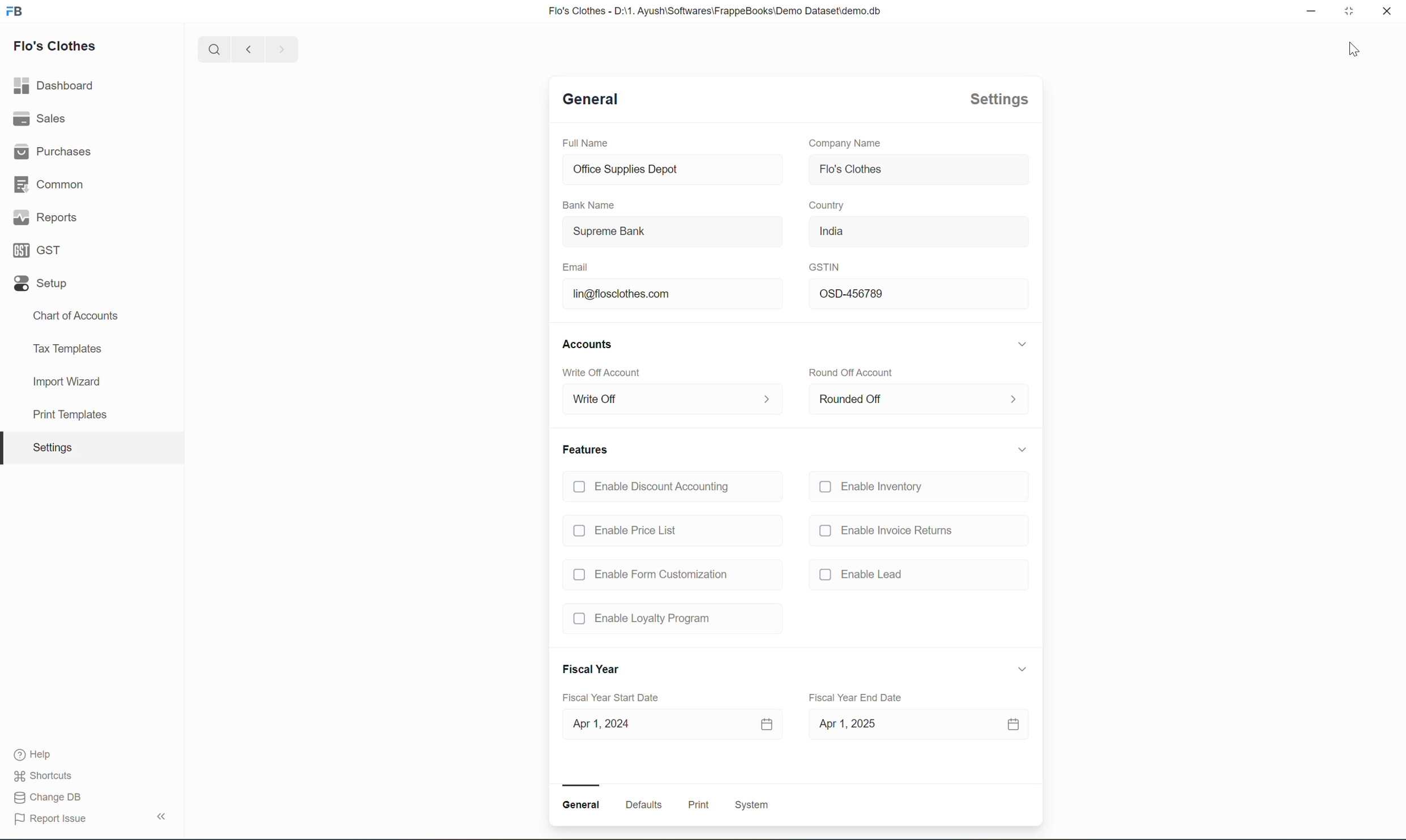 The width and height of the screenshot is (1406, 840). I want to click on Dashboard, so click(55, 87).